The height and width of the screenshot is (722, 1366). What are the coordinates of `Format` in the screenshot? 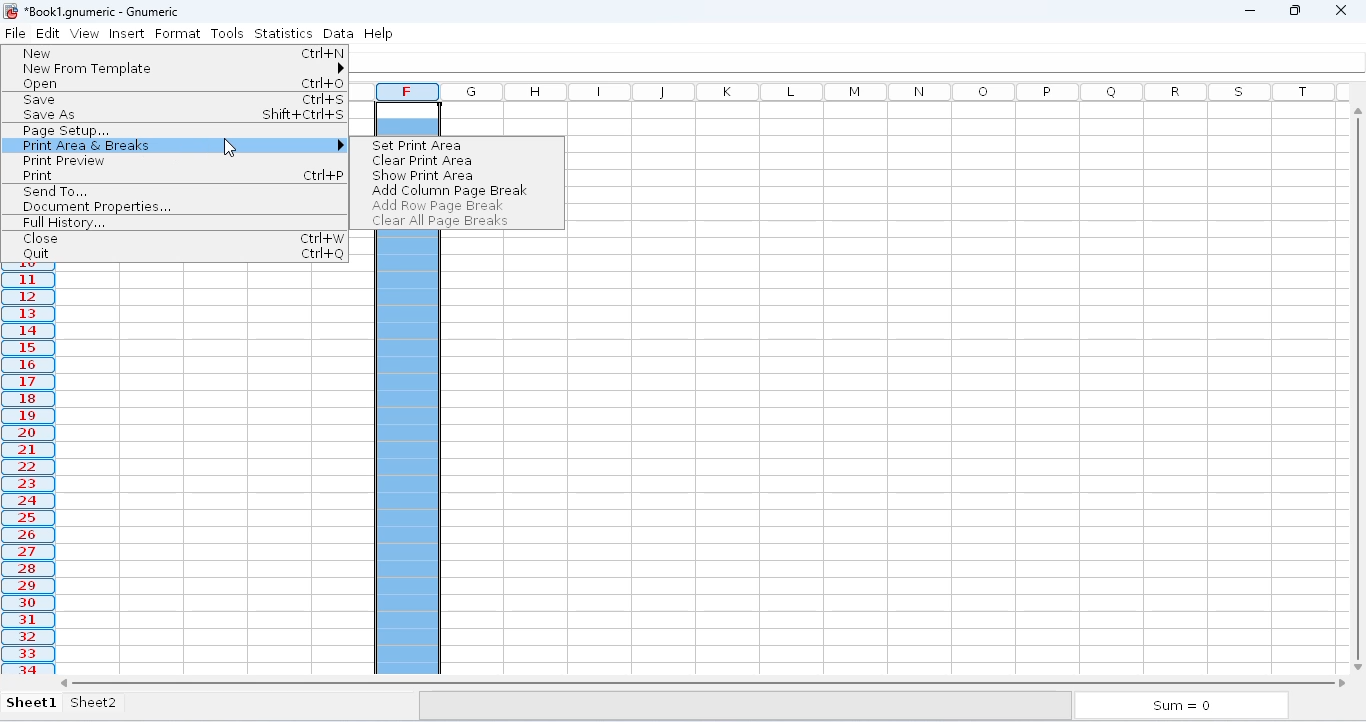 It's located at (180, 33).